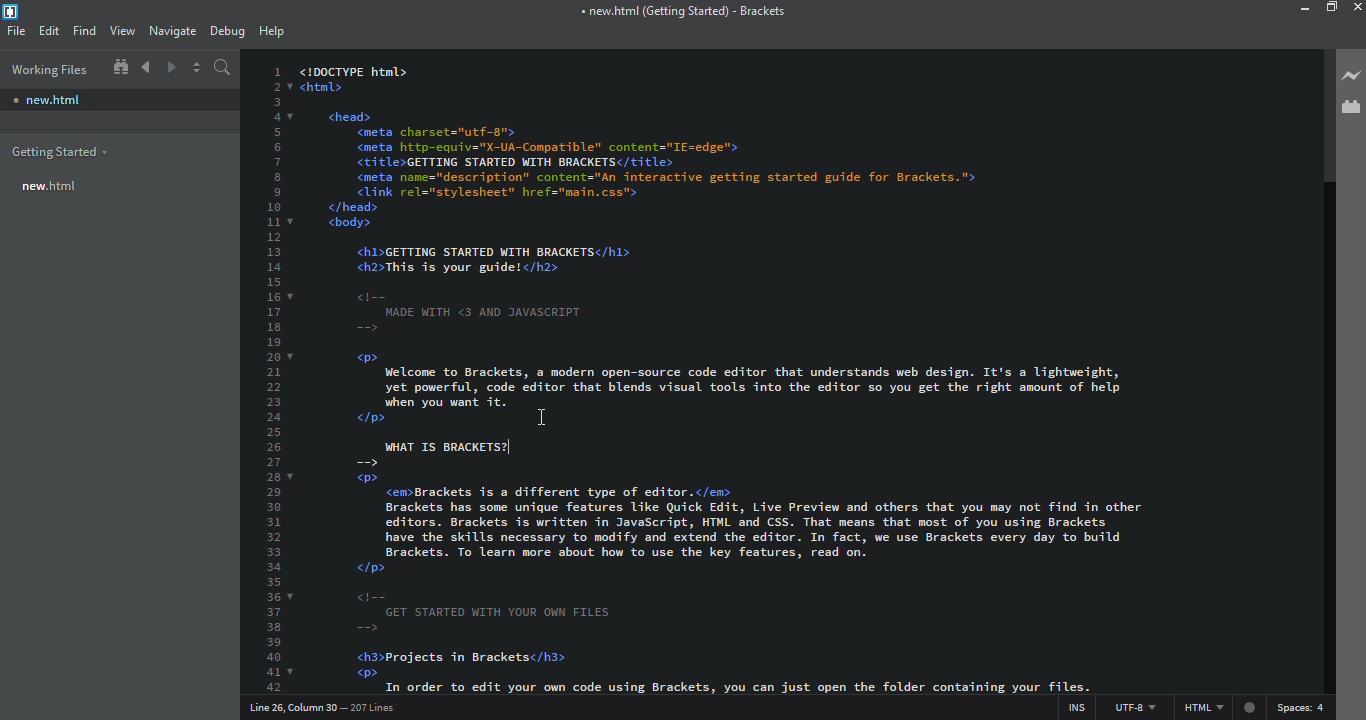 The height and width of the screenshot is (720, 1366). What do you see at coordinates (1306, 9) in the screenshot?
I see `minimize` at bounding box center [1306, 9].